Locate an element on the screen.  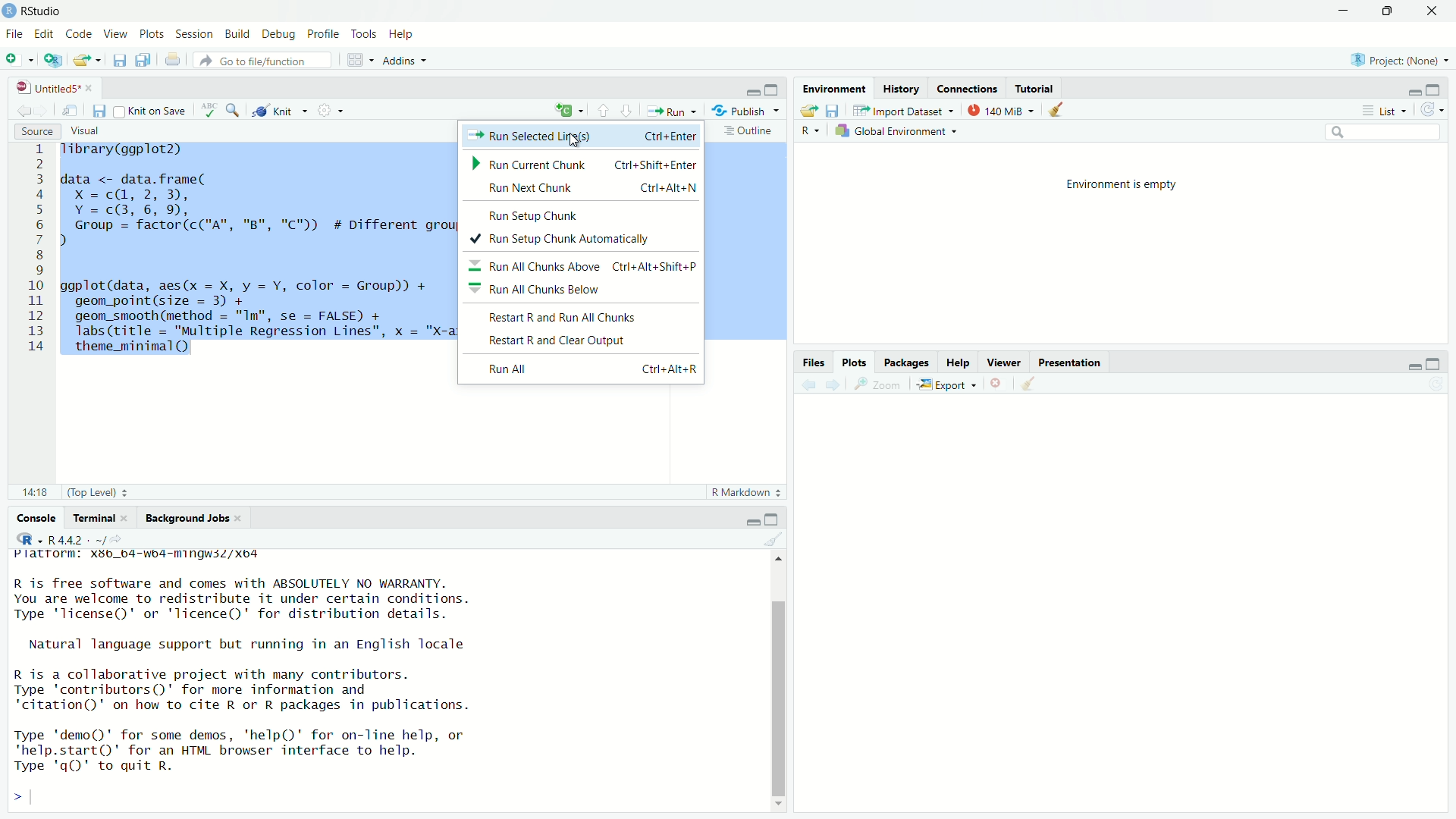
minimise is located at coordinates (1343, 9).